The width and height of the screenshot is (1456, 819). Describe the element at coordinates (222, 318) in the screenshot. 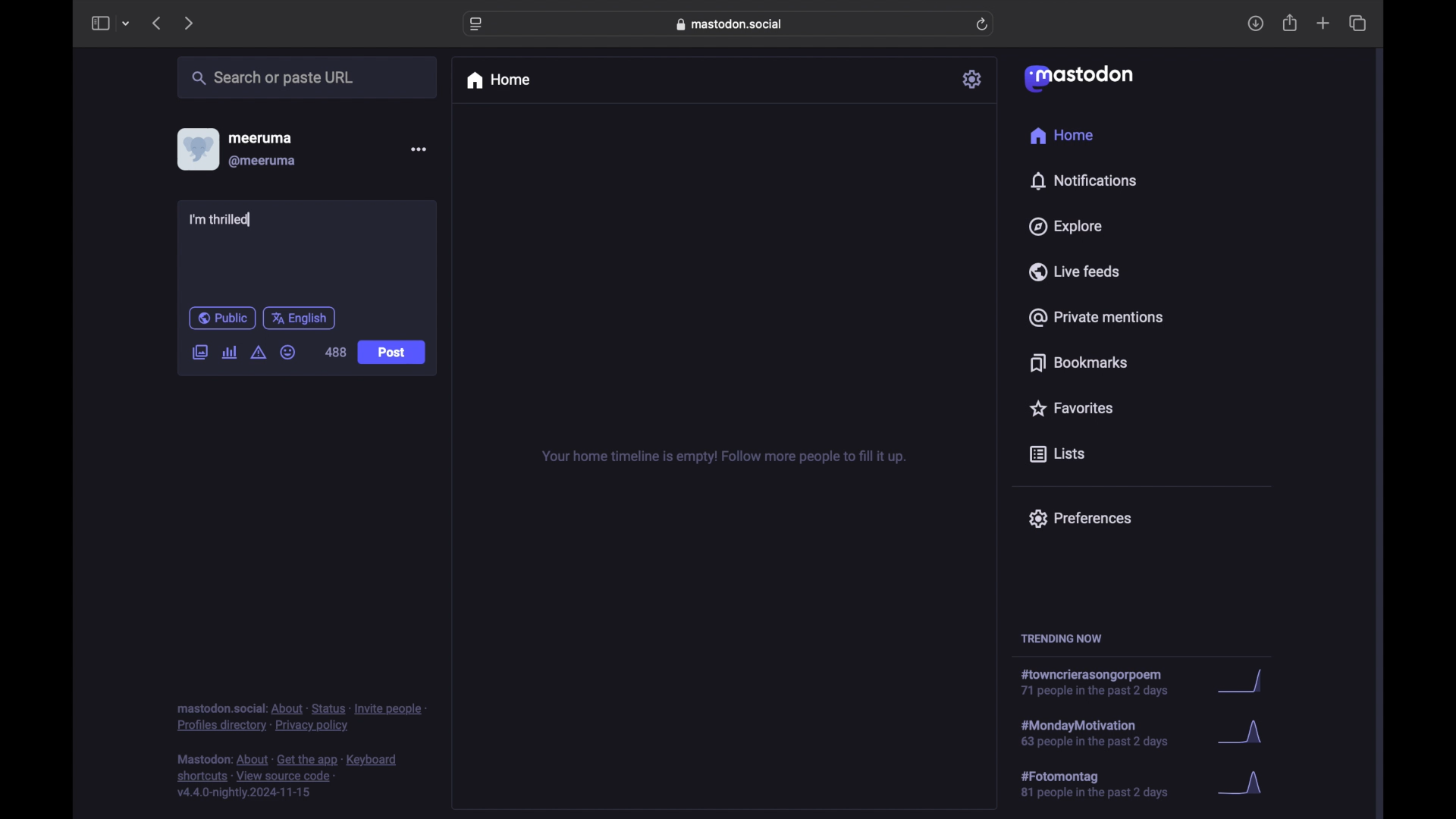

I see `public` at that location.